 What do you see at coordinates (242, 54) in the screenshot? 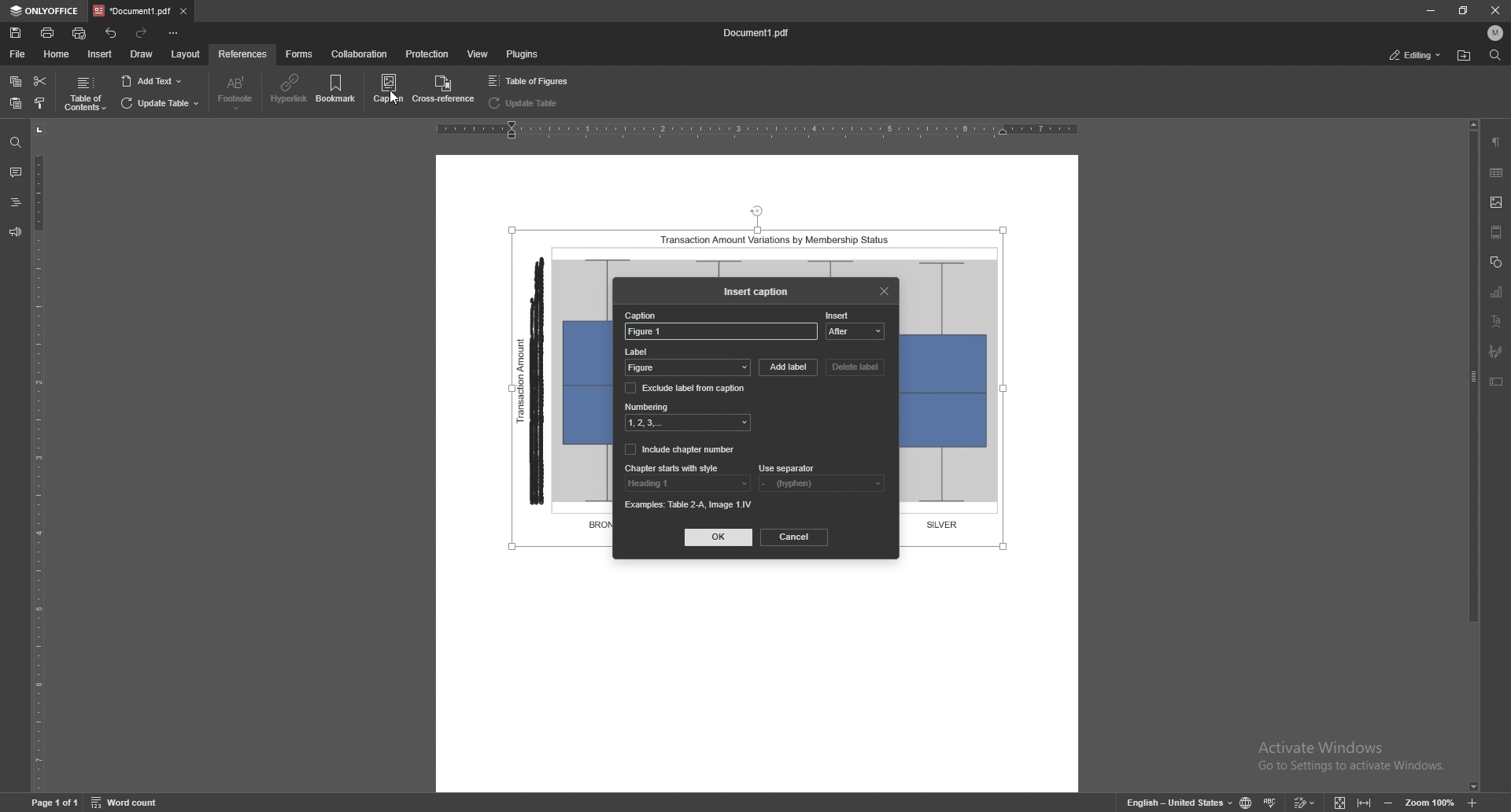
I see `references` at bounding box center [242, 54].